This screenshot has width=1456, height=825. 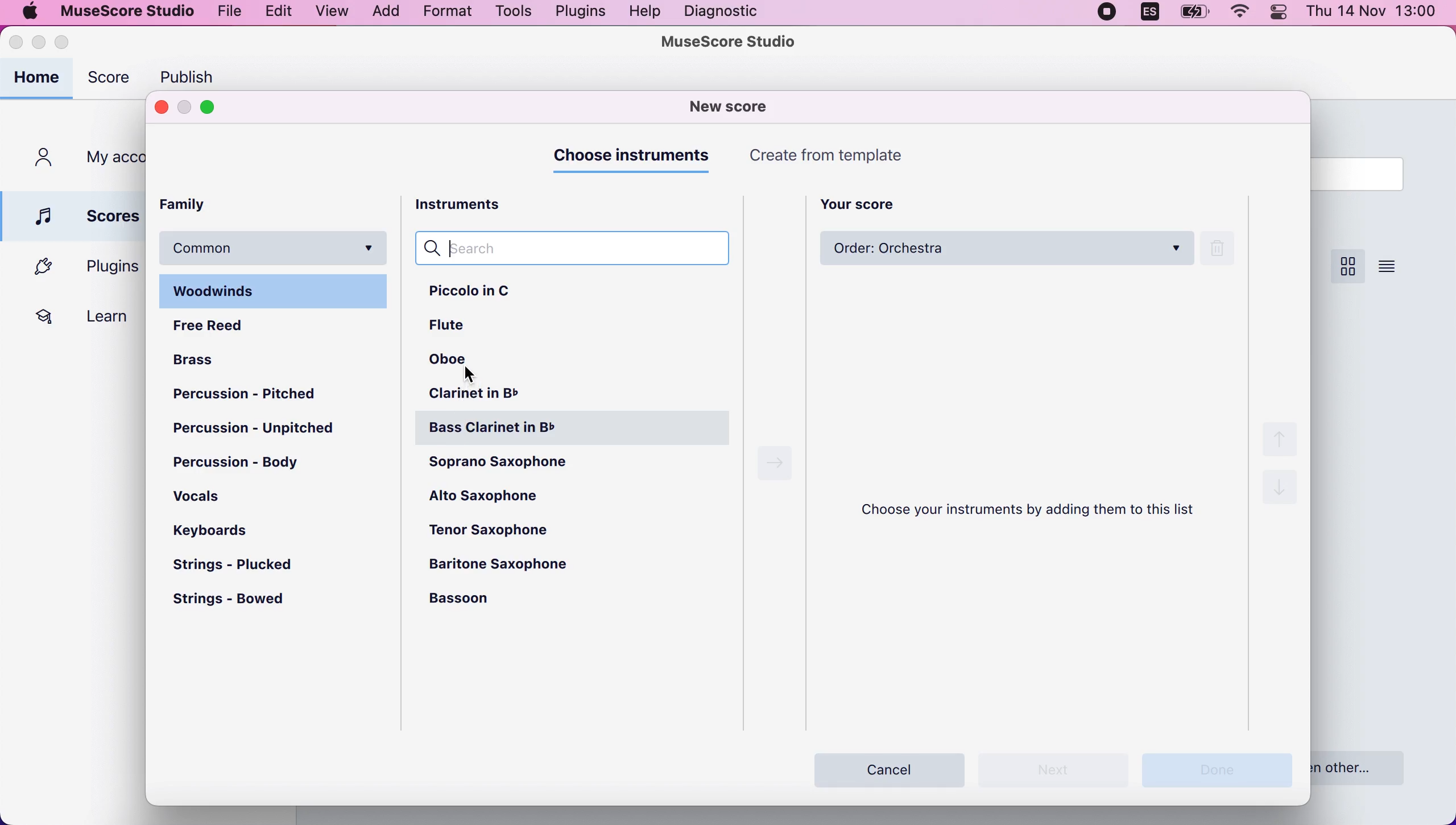 What do you see at coordinates (578, 13) in the screenshot?
I see `plugins` at bounding box center [578, 13].